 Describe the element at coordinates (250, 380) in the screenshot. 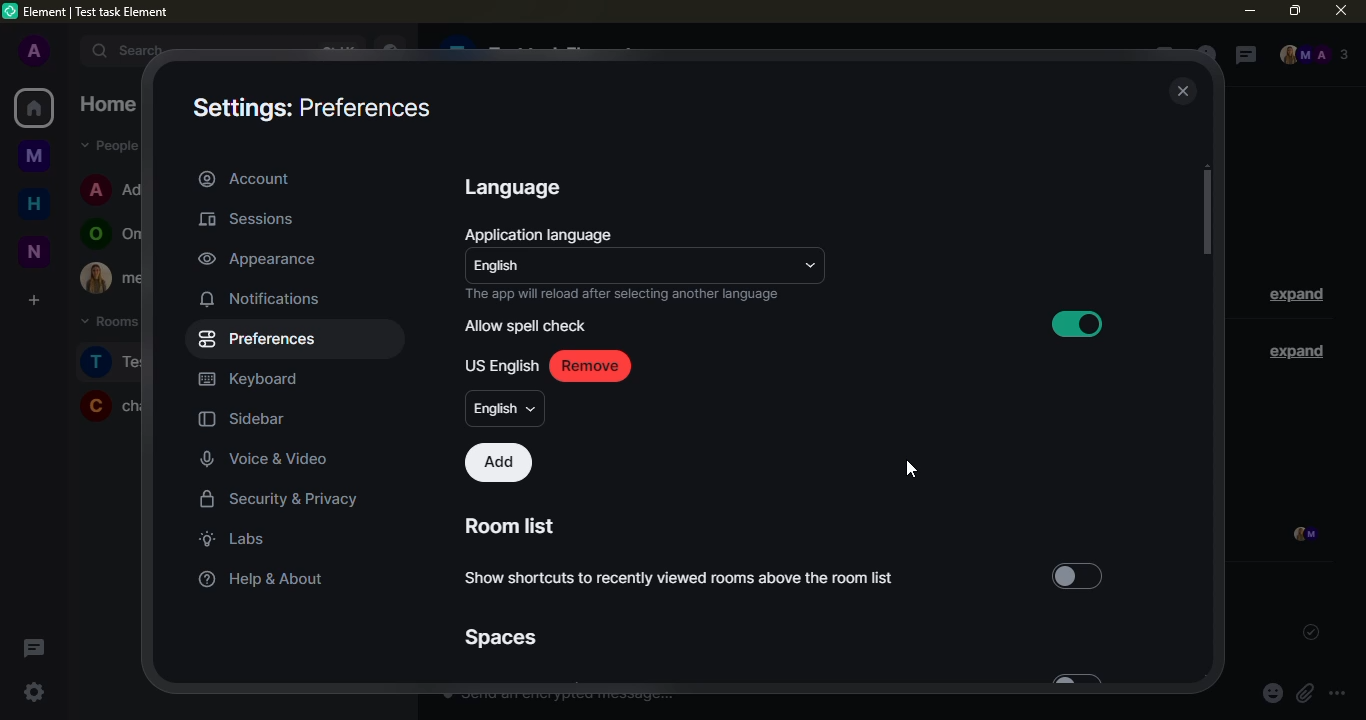

I see `keyboard` at that location.